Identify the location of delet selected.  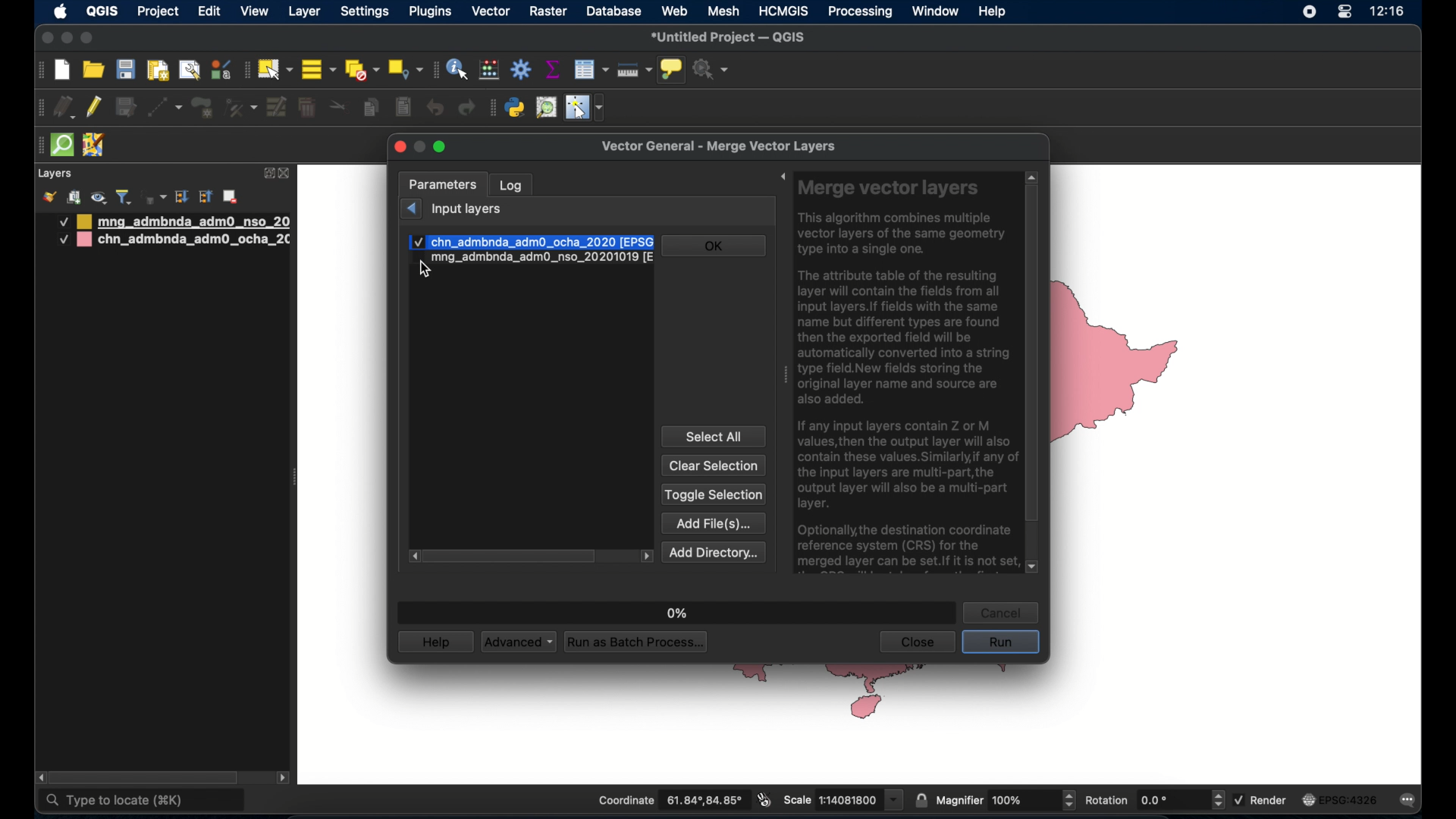
(306, 108).